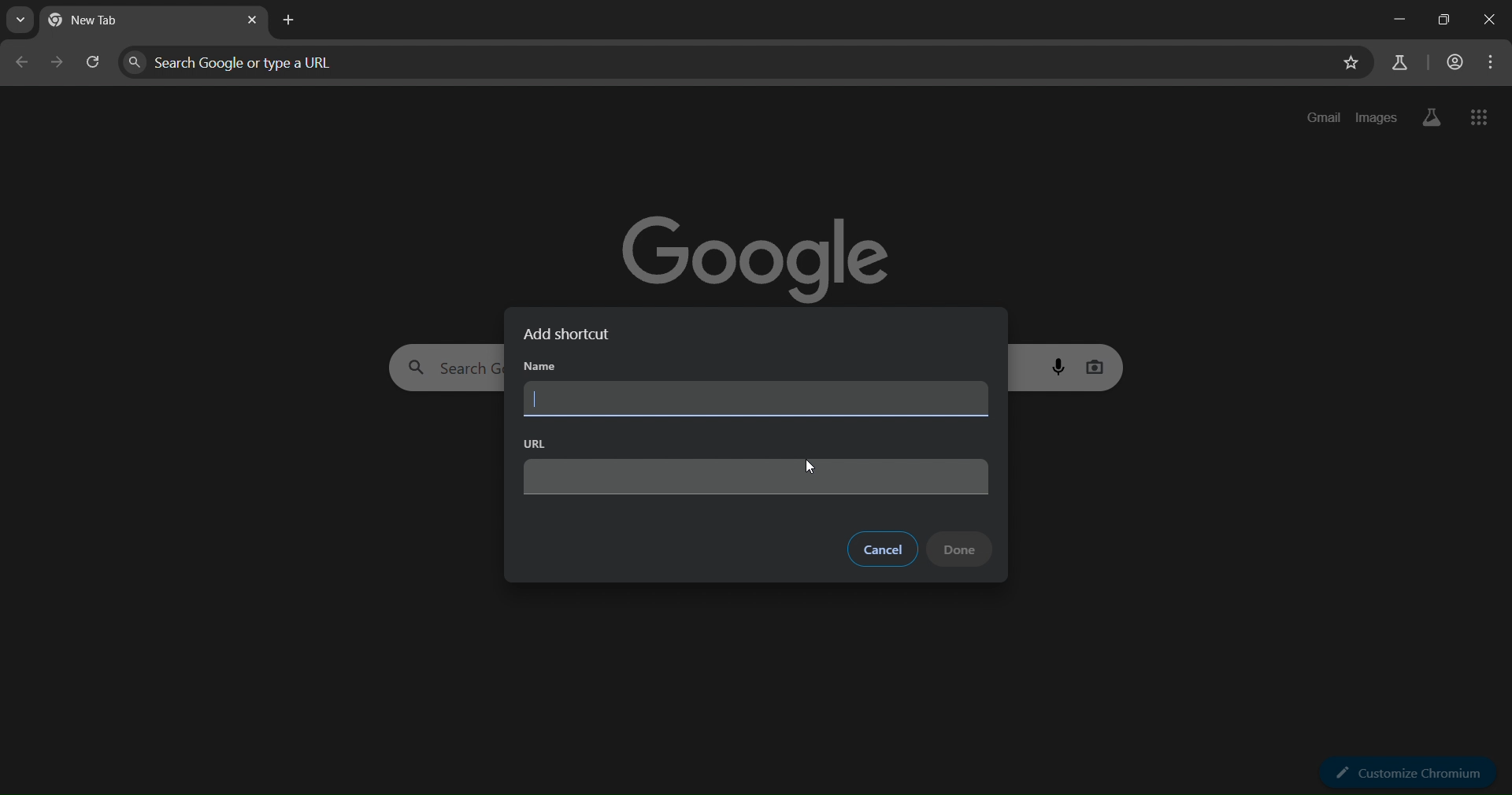 The width and height of the screenshot is (1512, 795). I want to click on go back one page, so click(21, 66).